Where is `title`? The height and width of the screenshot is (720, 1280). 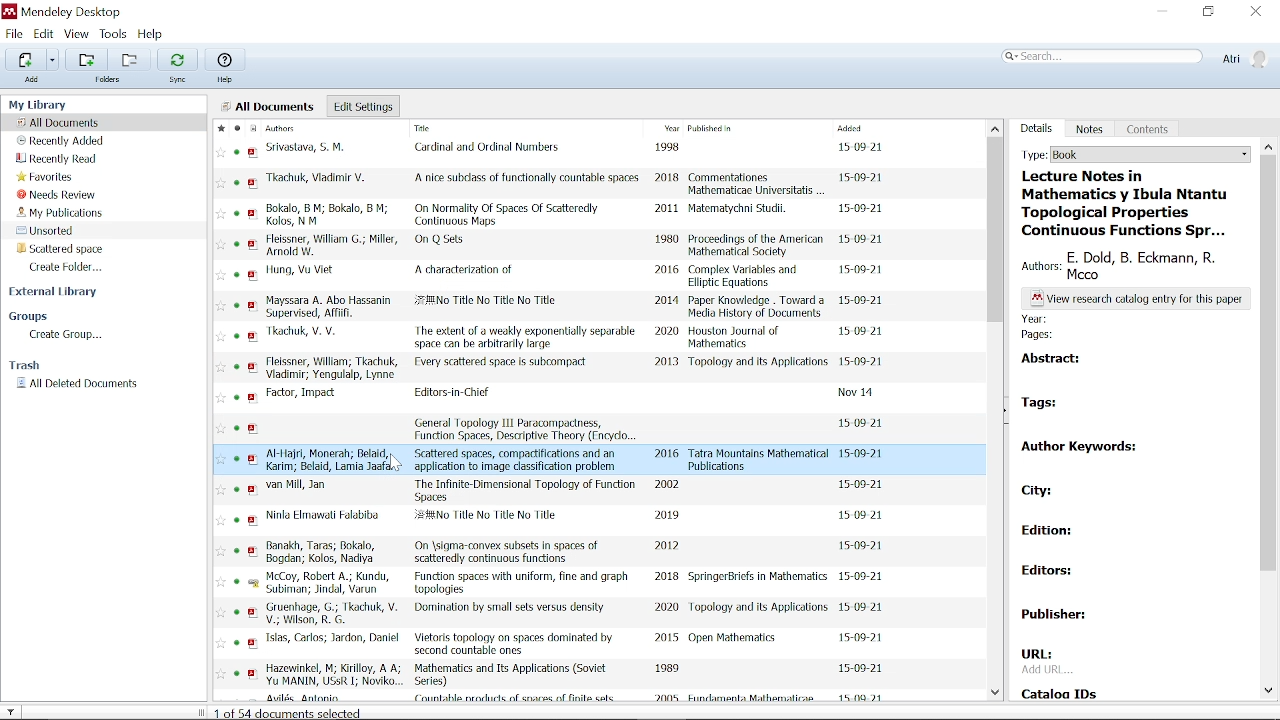
title is located at coordinates (1129, 203).